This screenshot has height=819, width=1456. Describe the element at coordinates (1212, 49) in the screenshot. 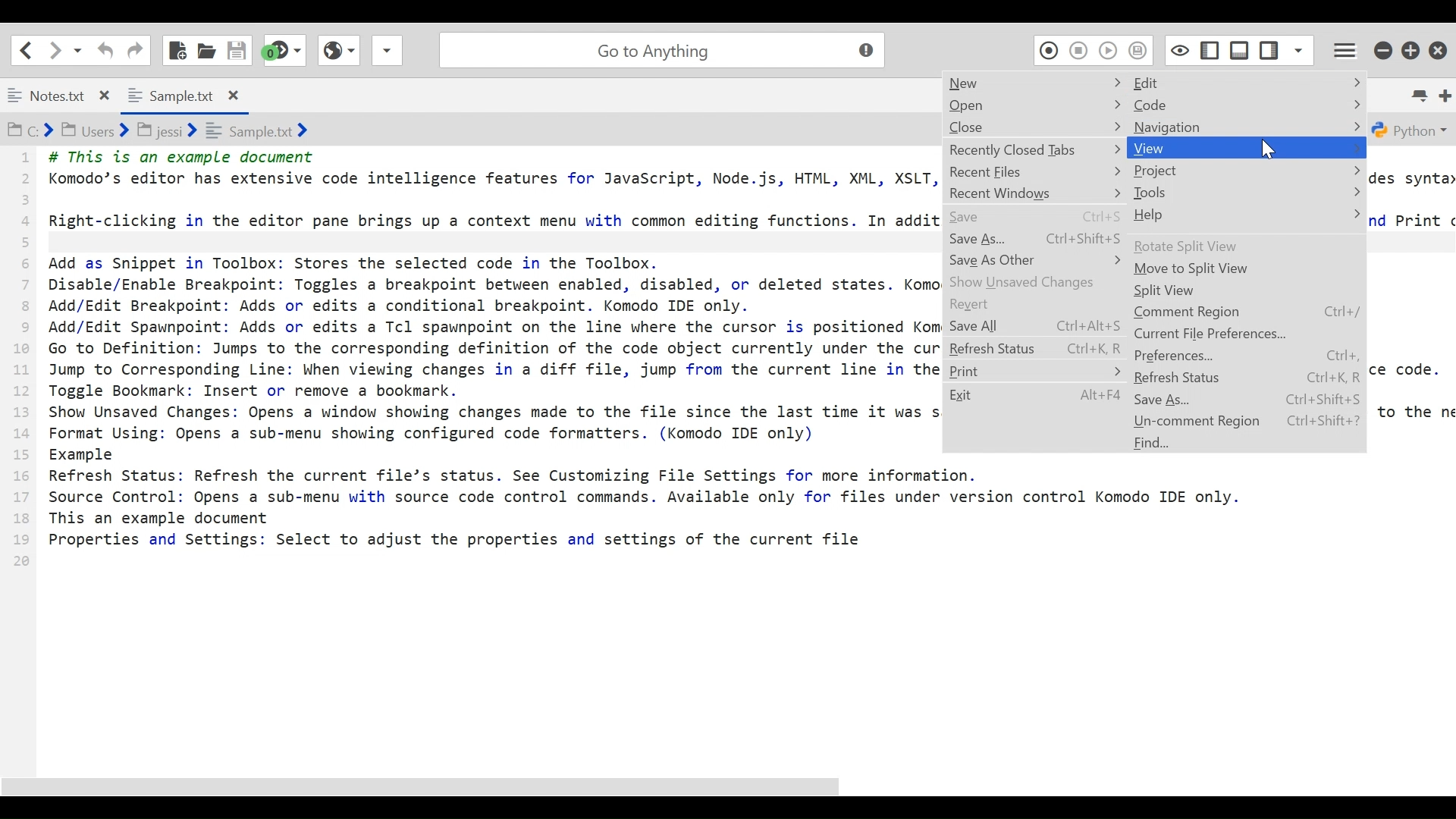

I see `Show/Hide Left Pane` at that location.